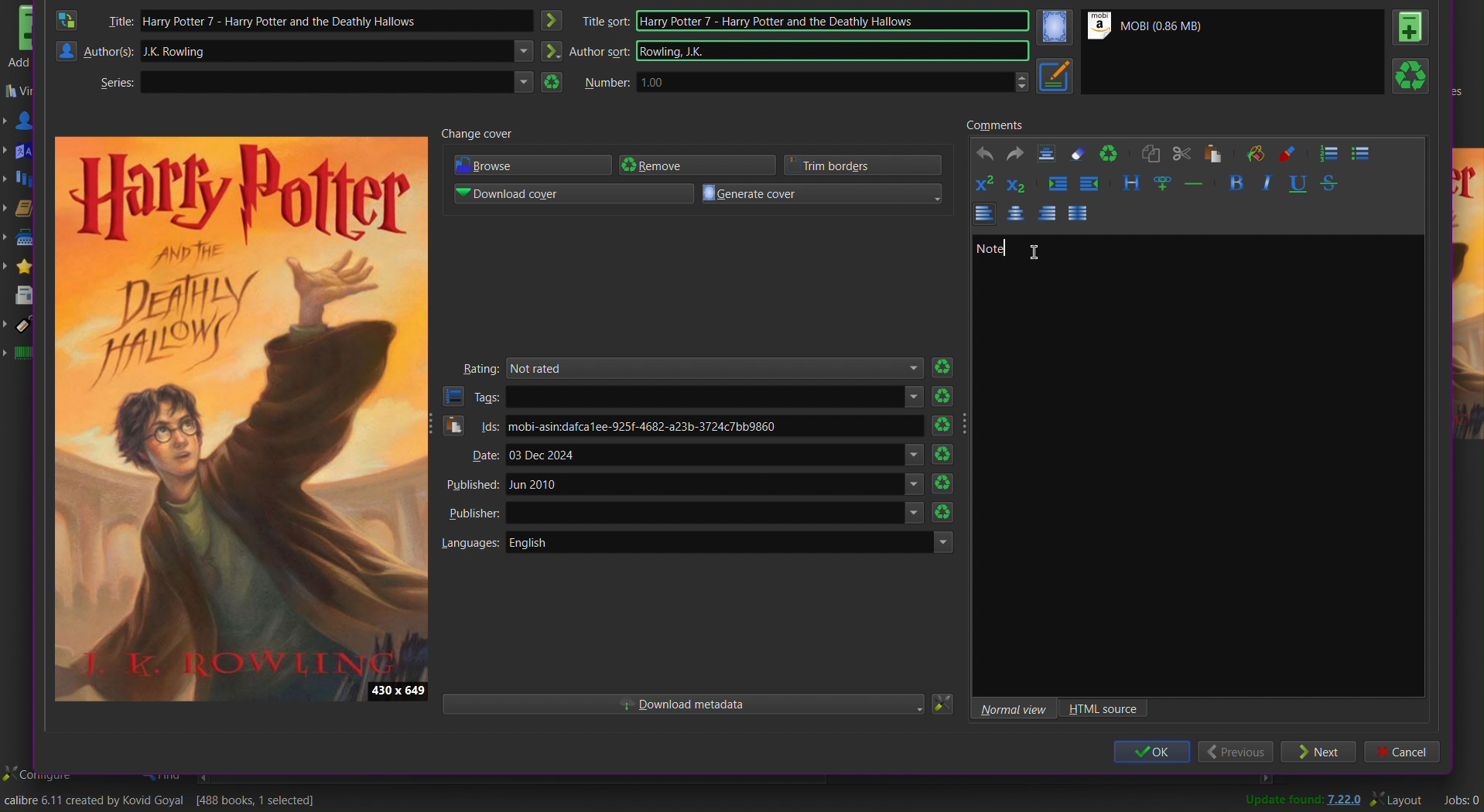 The image size is (1484, 812). What do you see at coordinates (26, 267) in the screenshot?
I see `Rating` at bounding box center [26, 267].